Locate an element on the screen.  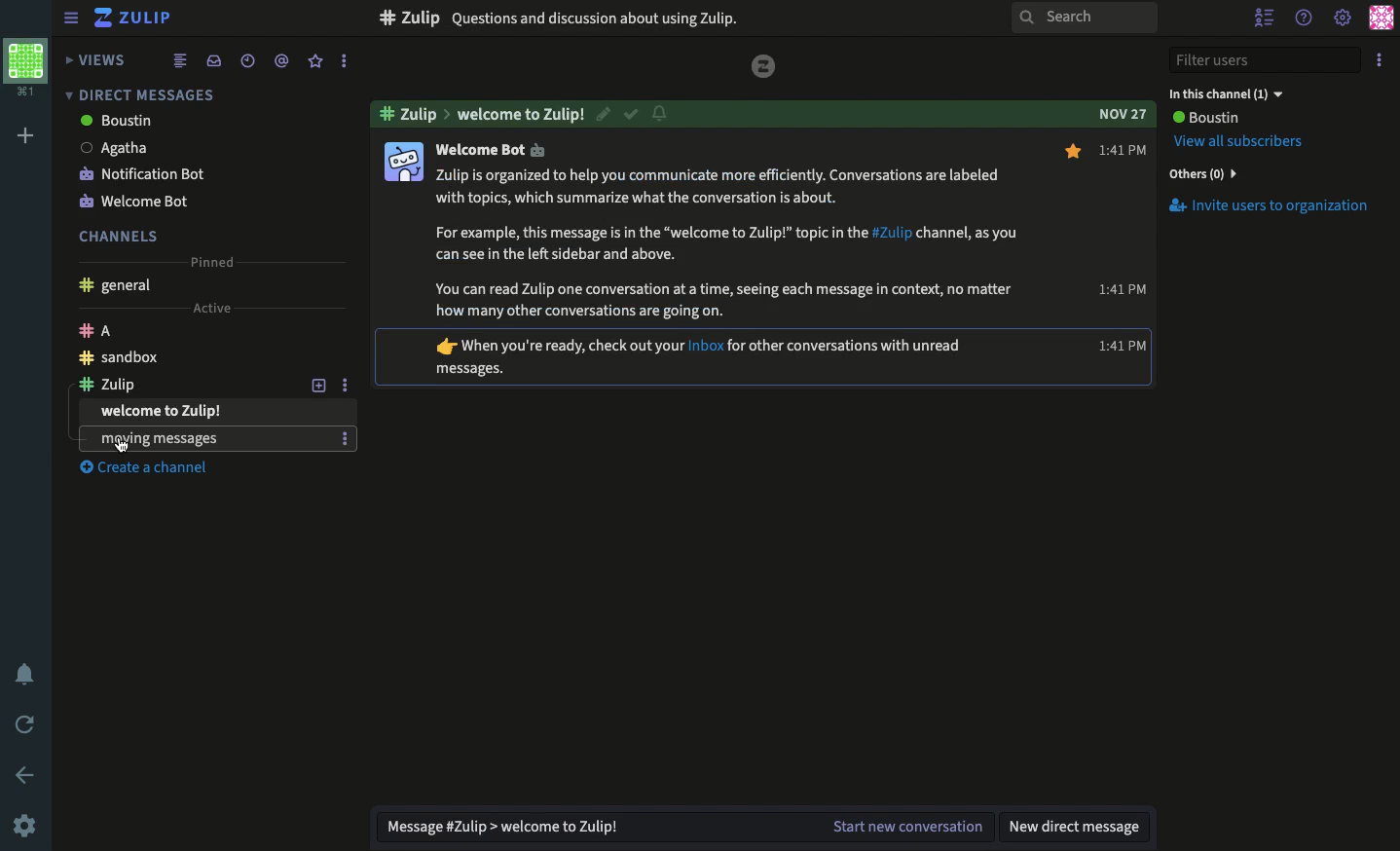
Profile is located at coordinates (1381, 18).